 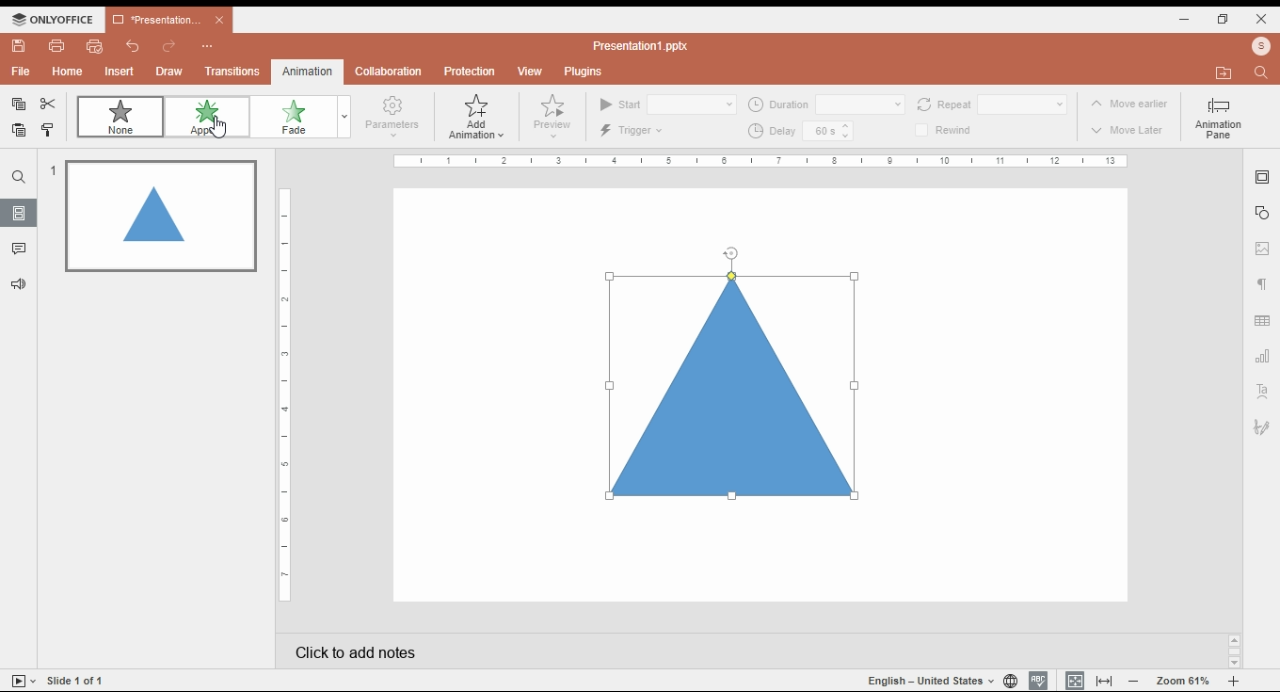 I want to click on scroll bar, so click(x=1233, y=650).